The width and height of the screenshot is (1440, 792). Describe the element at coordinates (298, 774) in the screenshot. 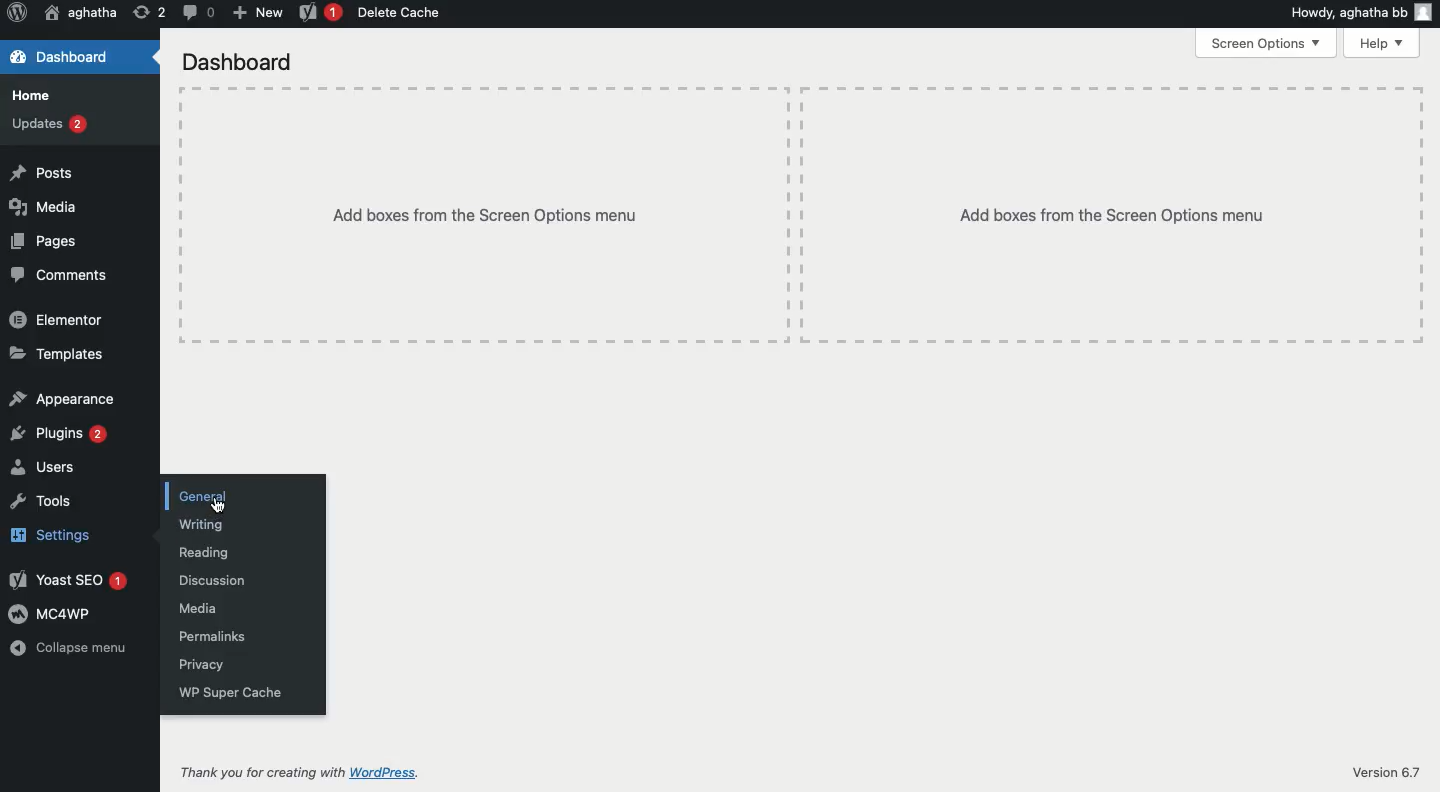

I see `Thank you for creating with wordpress` at that location.